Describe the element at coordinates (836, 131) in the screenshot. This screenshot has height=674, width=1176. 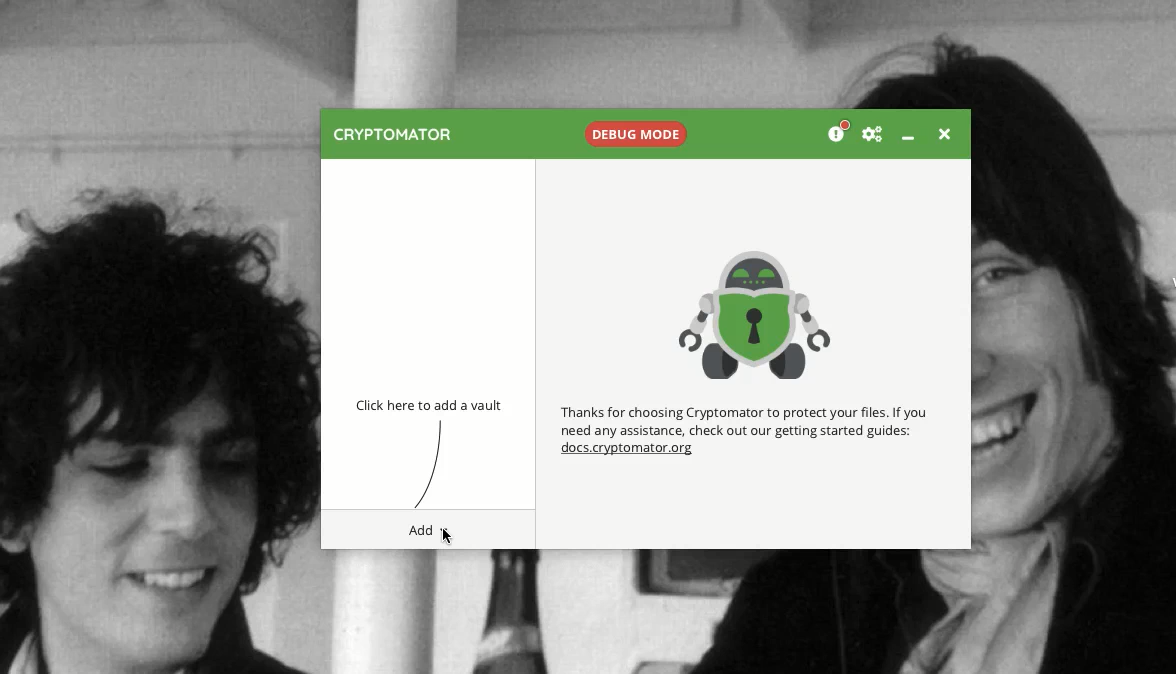
I see `Please consider donating ` at that location.